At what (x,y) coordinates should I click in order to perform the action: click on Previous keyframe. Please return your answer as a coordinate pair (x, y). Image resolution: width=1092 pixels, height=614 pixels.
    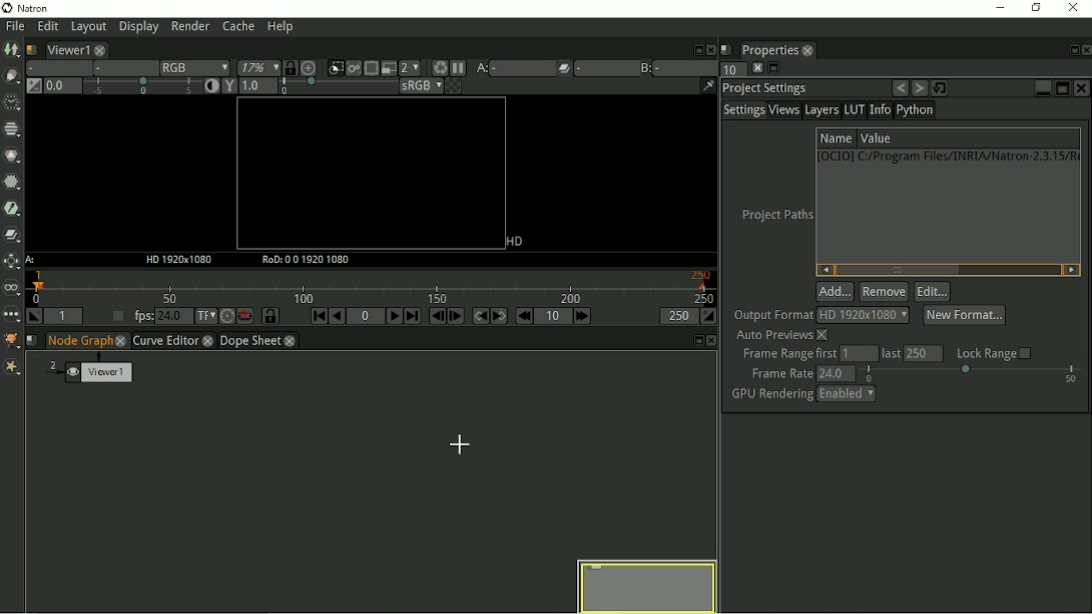
    Looking at the image, I should click on (480, 316).